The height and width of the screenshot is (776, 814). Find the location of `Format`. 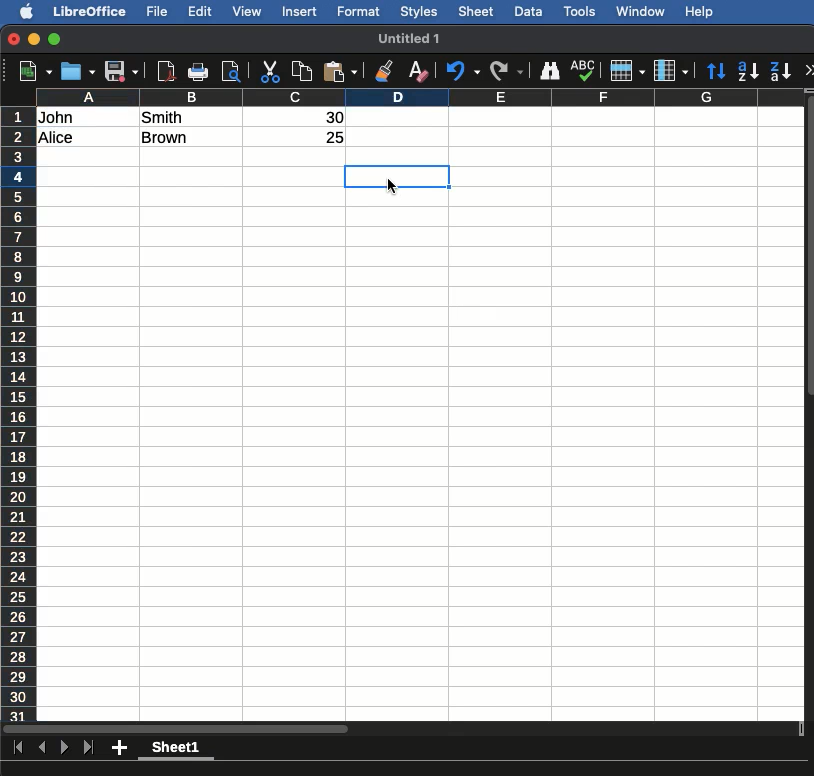

Format is located at coordinates (360, 13).